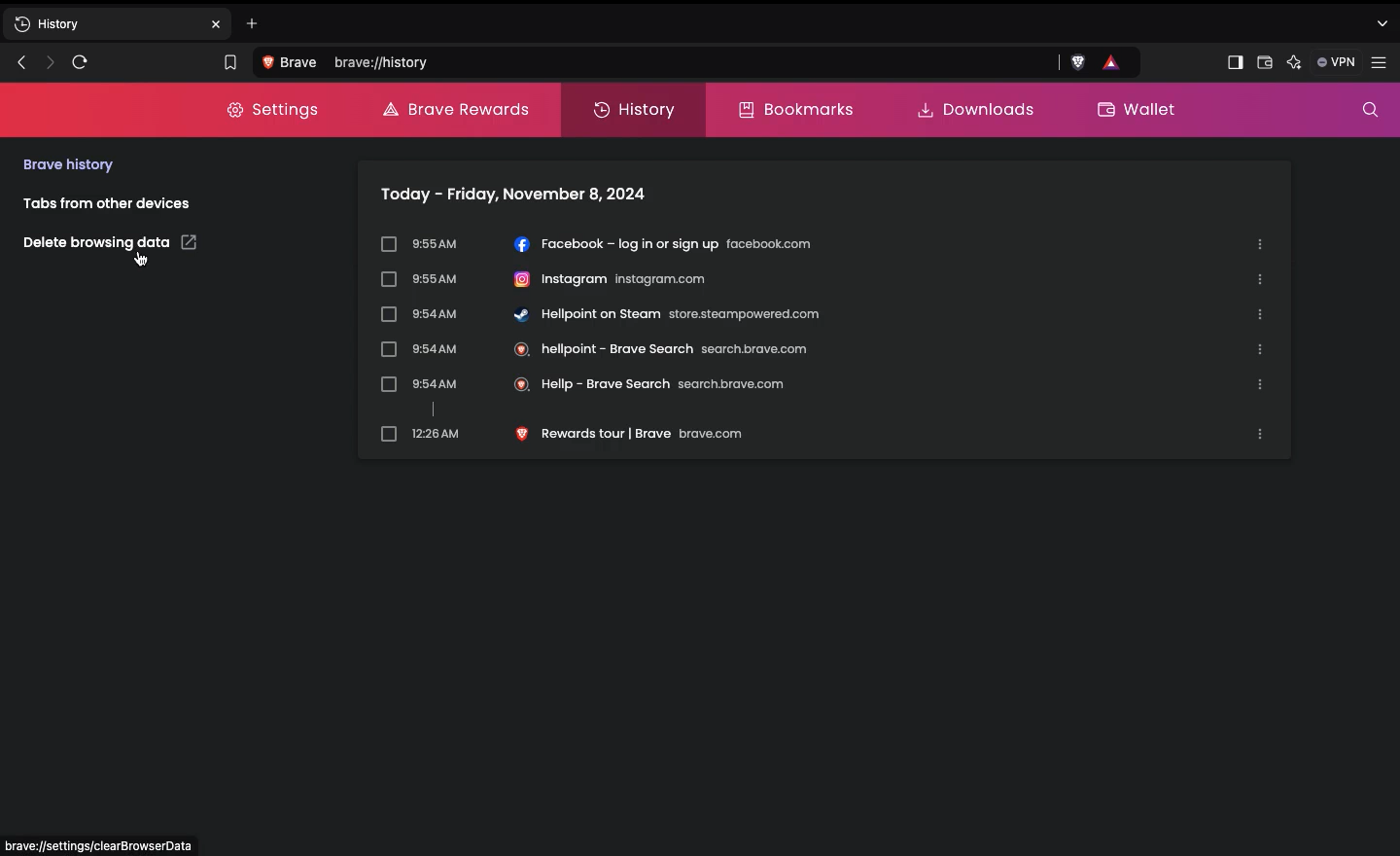 The image size is (1400, 856). What do you see at coordinates (801, 109) in the screenshot?
I see `Bookmarks` at bounding box center [801, 109].